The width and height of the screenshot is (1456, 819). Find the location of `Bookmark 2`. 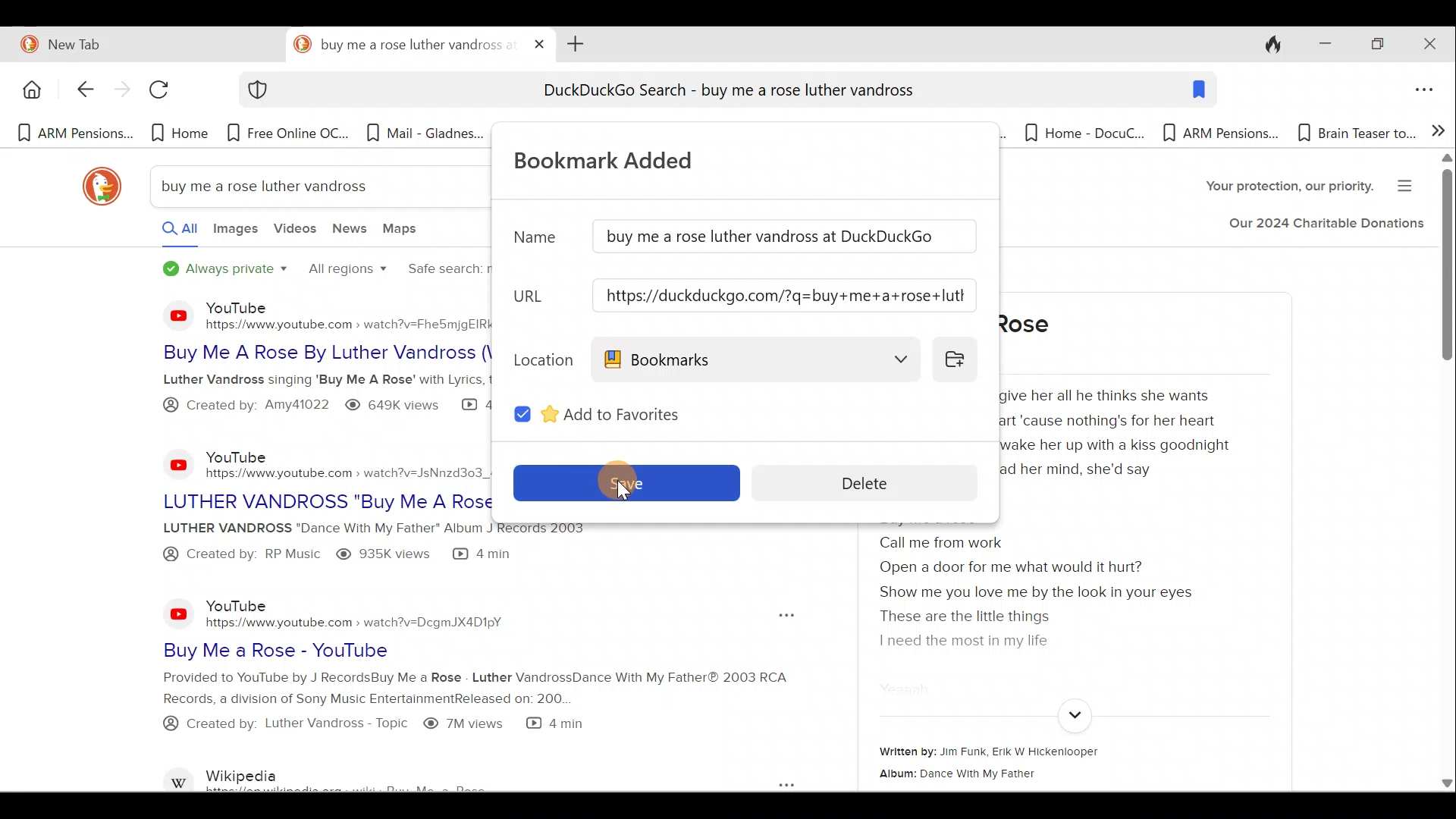

Bookmark 2 is located at coordinates (180, 133).